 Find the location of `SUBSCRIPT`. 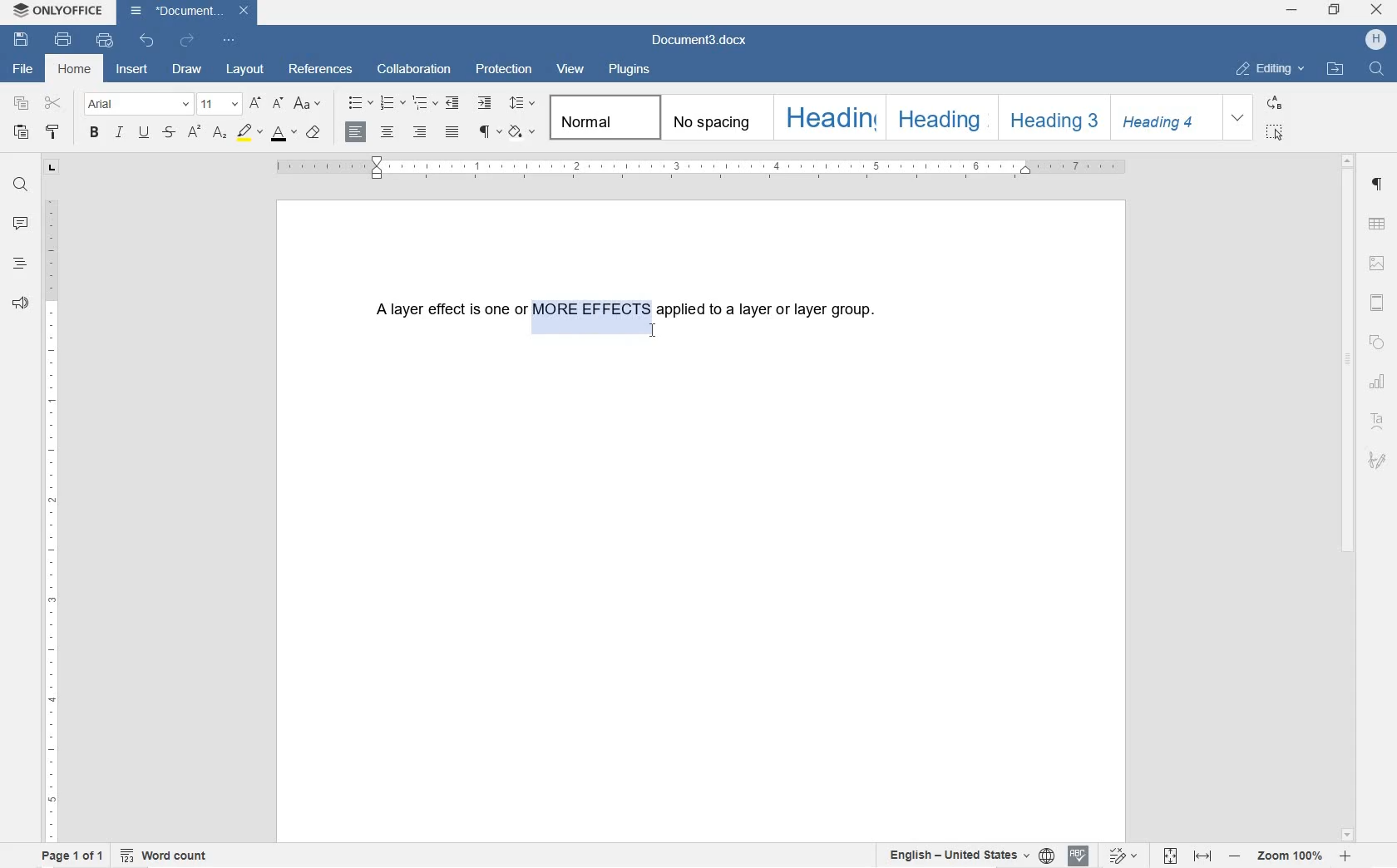

SUBSCRIPT is located at coordinates (220, 133).